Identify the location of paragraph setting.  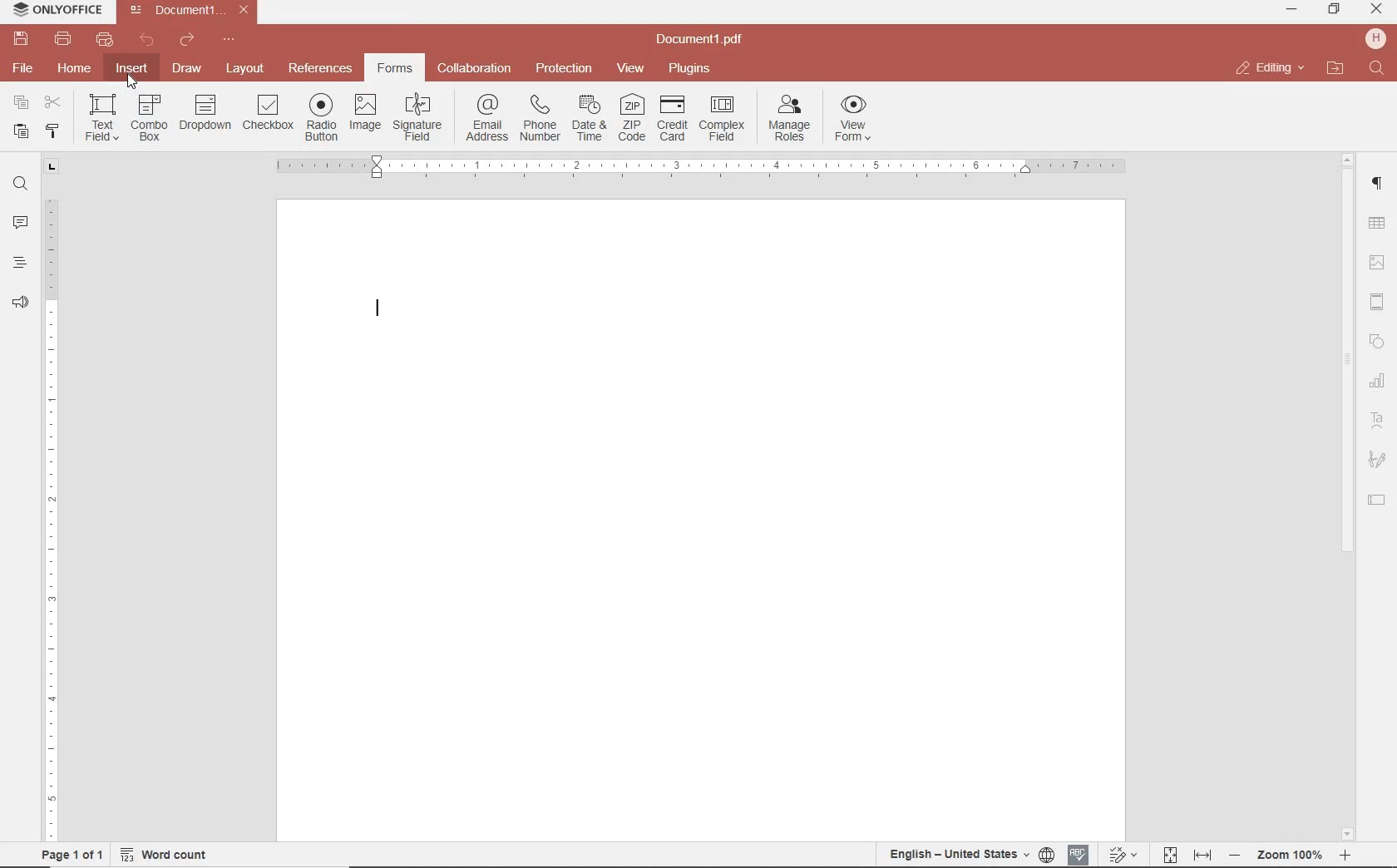
(1378, 181).